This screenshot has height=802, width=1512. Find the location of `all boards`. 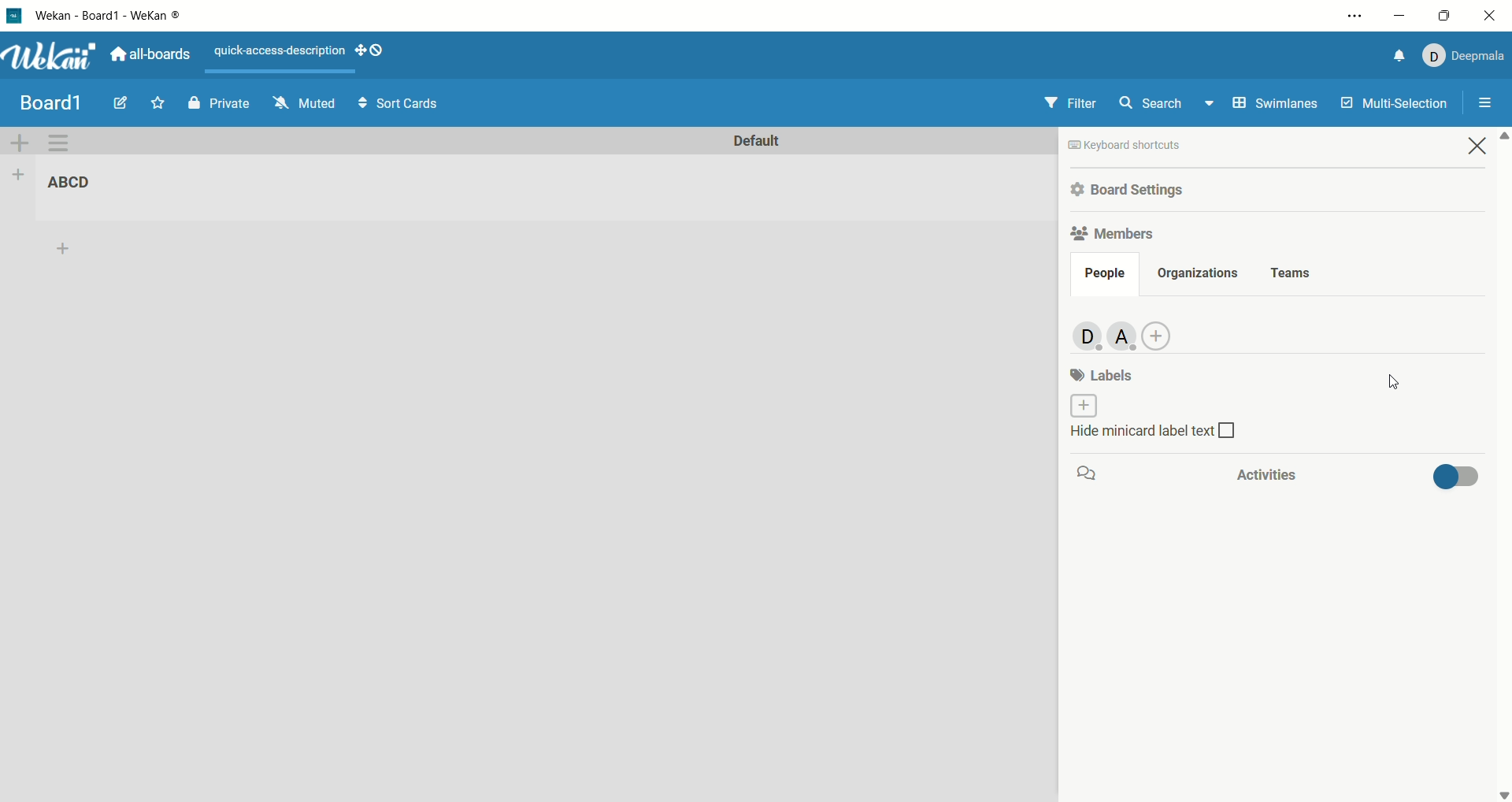

all boards is located at coordinates (150, 54).